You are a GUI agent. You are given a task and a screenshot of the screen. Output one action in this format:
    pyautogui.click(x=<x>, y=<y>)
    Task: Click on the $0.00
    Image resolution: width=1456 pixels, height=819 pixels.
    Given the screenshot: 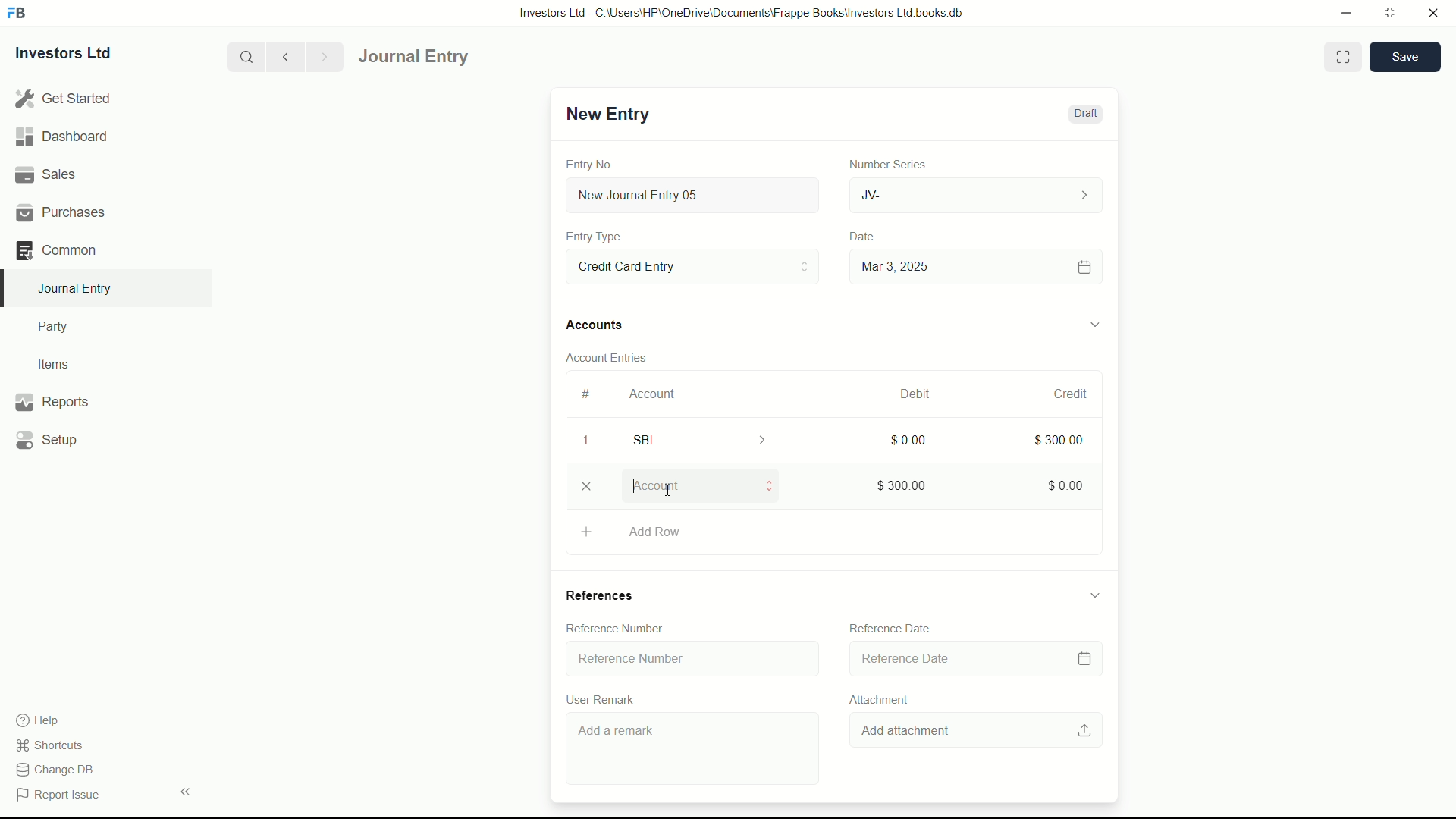 What is the action you would take?
    pyautogui.click(x=901, y=439)
    